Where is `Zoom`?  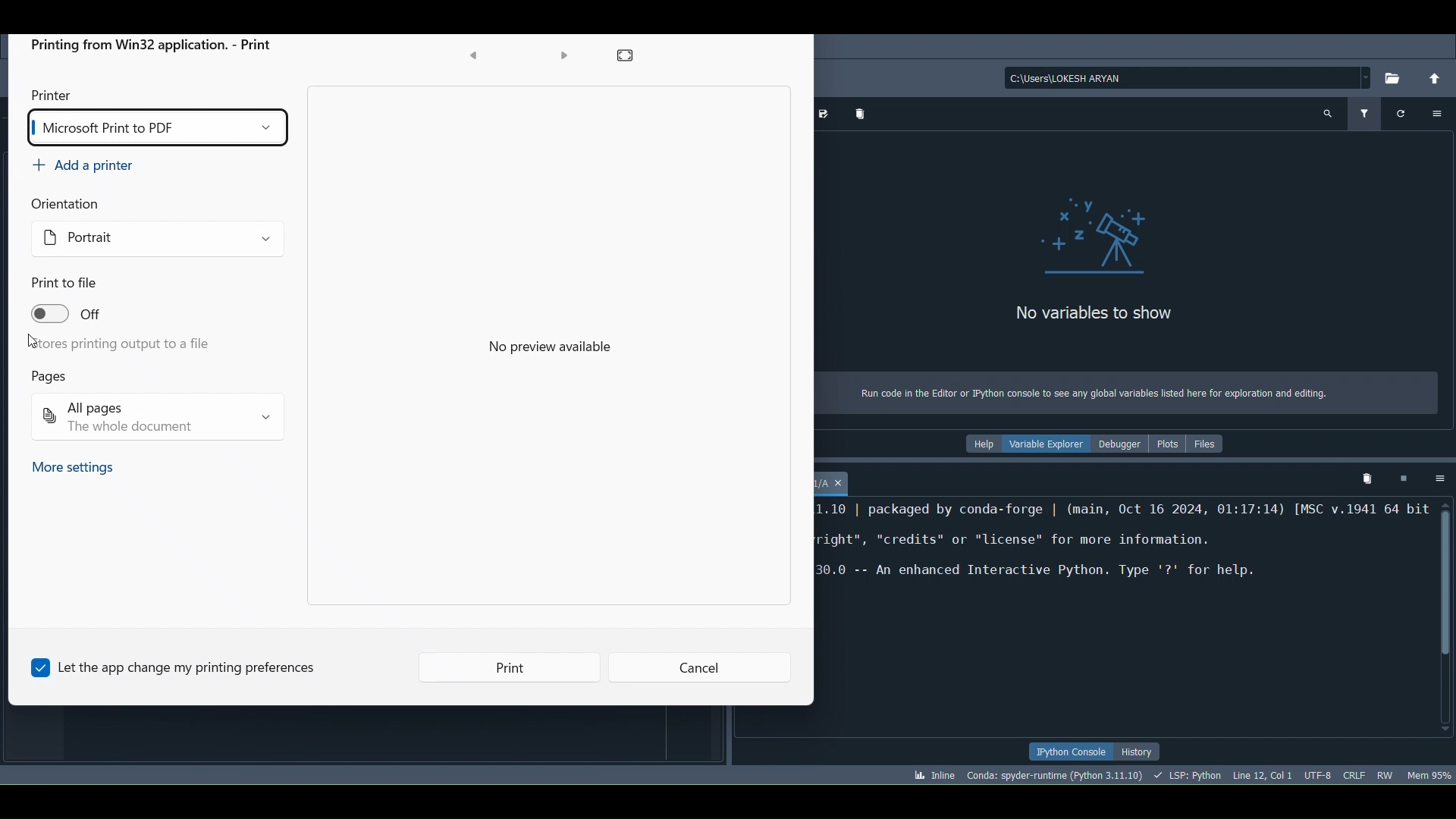
Zoom is located at coordinates (632, 58).